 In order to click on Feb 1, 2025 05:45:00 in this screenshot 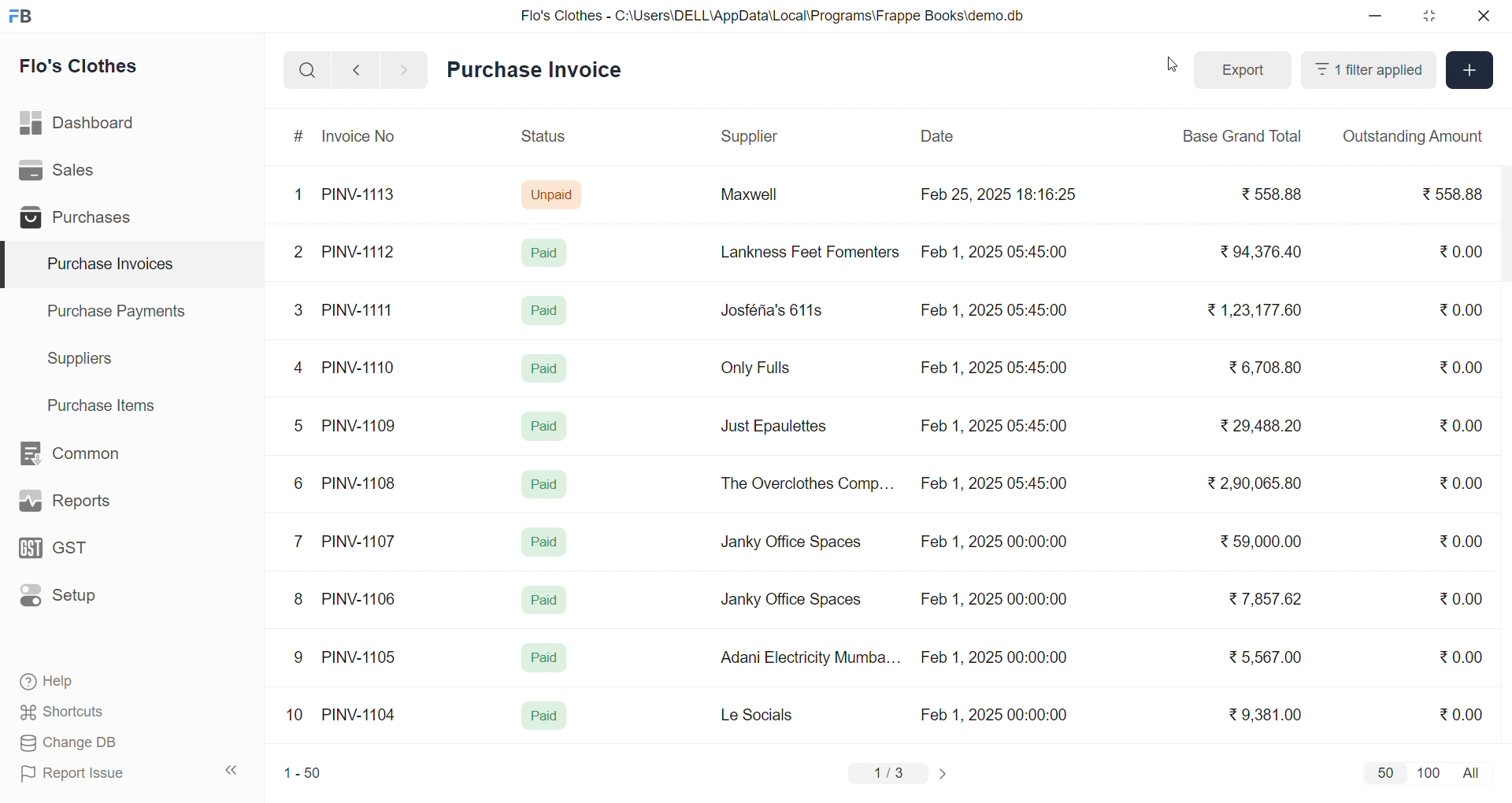, I will do `click(992, 312)`.